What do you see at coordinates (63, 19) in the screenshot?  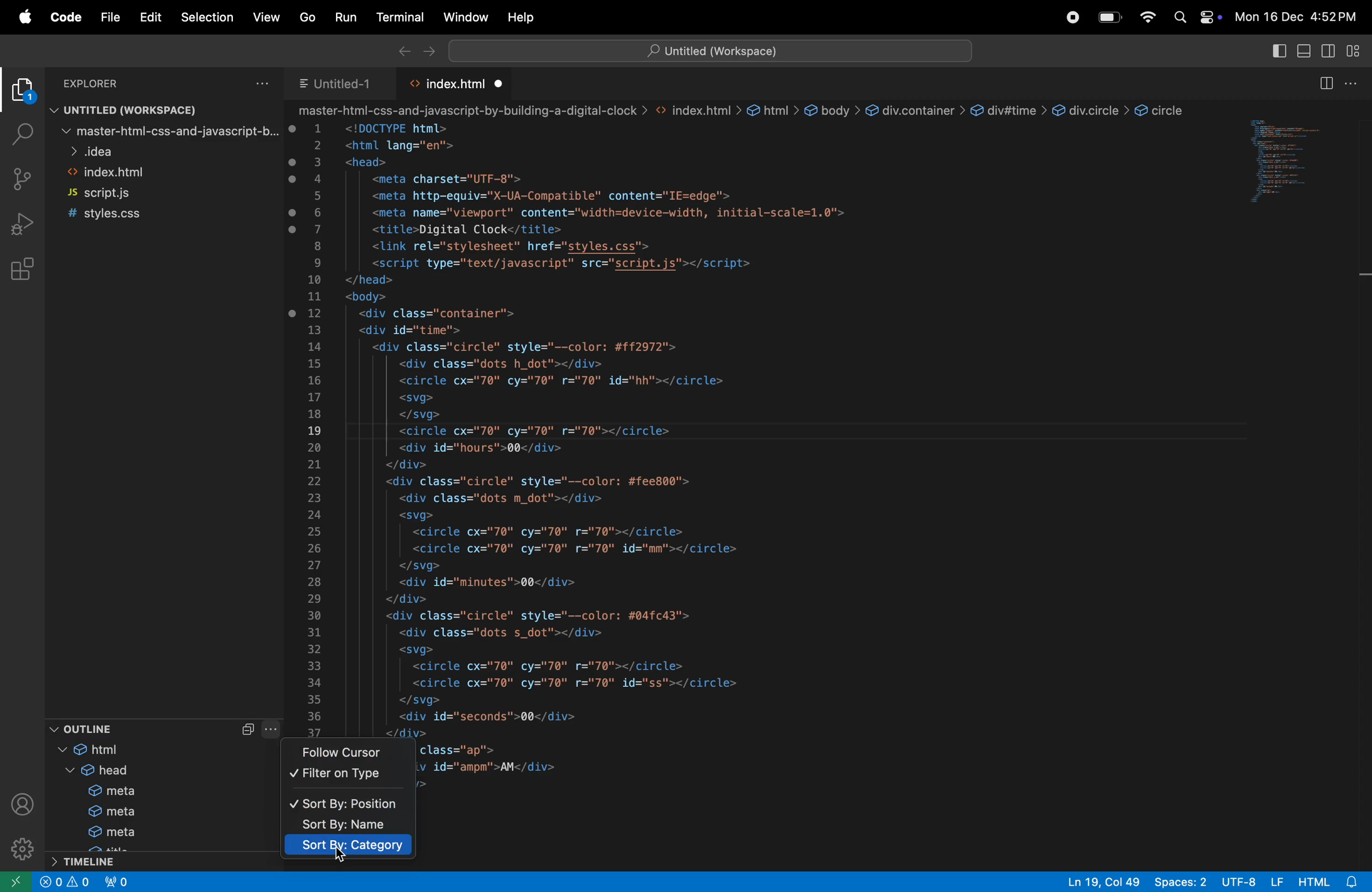 I see `code` at bounding box center [63, 19].